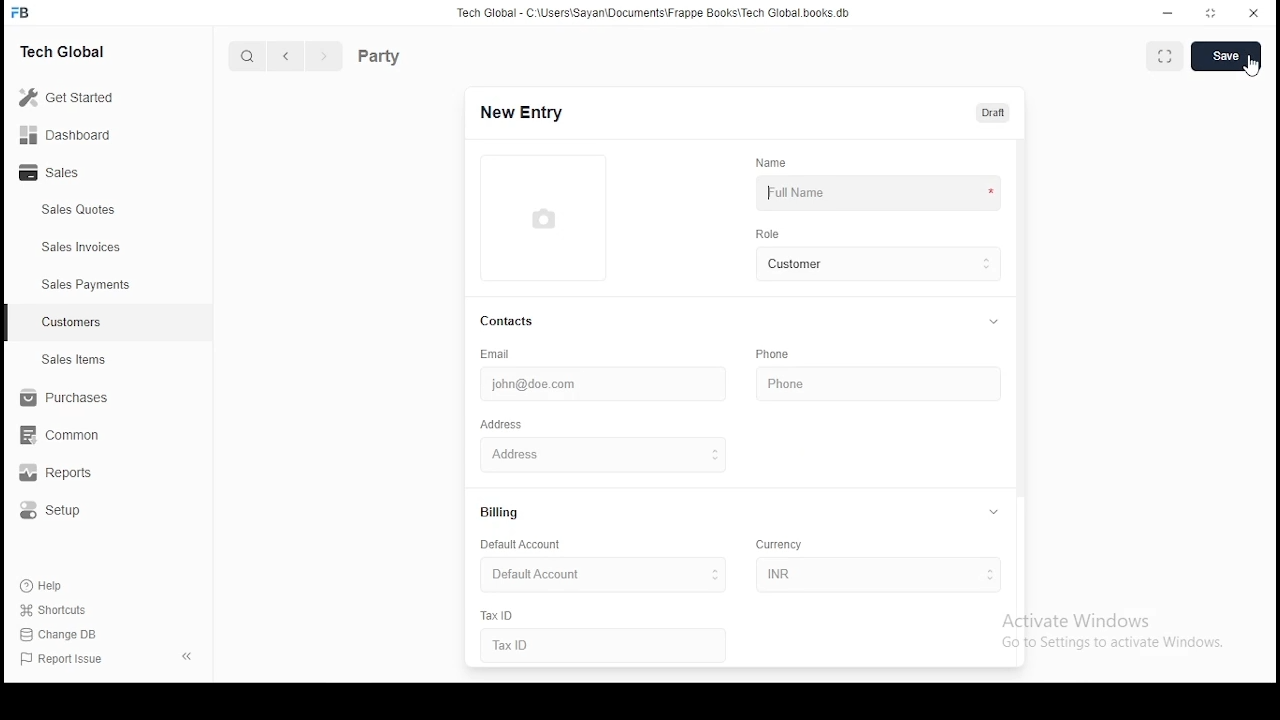  What do you see at coordinates (814, 380) in the screenshot?
I see `phone` at bounding box center [814, 380].